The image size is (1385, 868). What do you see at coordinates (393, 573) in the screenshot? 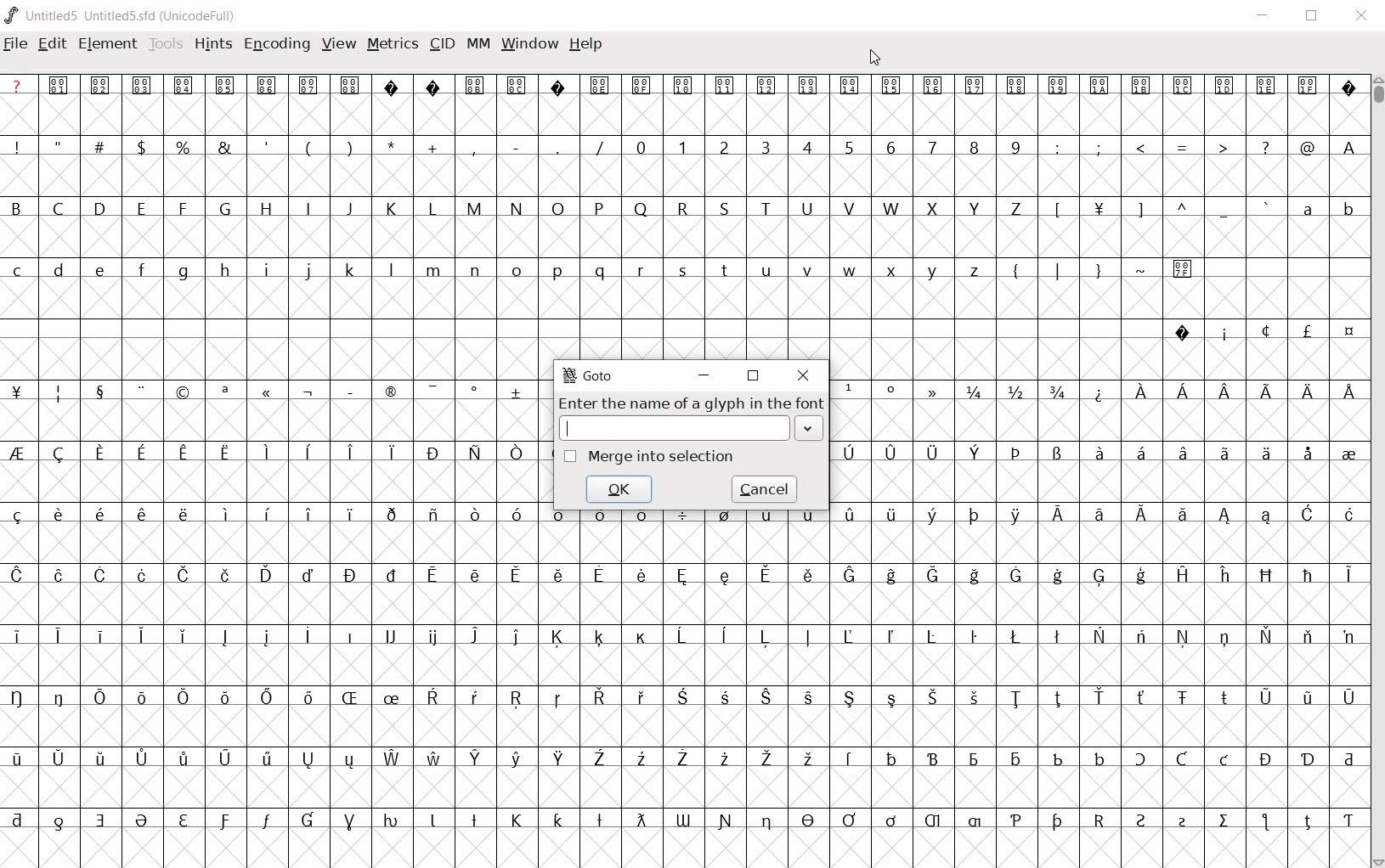
I see `Symbol` at bounding box center [393, 573].